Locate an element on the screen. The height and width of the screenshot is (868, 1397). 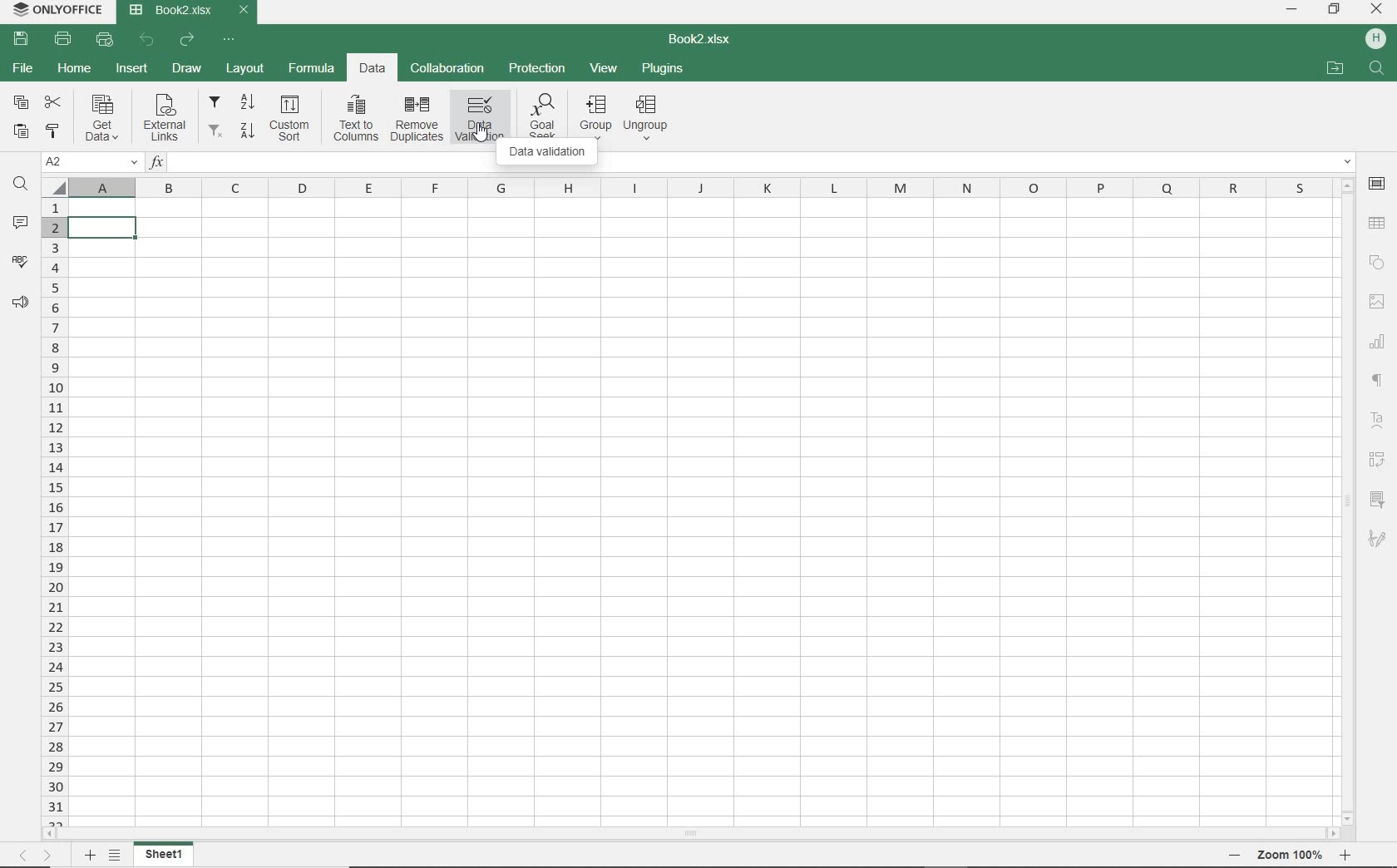
INSERT FUNCTION is located at coordinates (315, 160).